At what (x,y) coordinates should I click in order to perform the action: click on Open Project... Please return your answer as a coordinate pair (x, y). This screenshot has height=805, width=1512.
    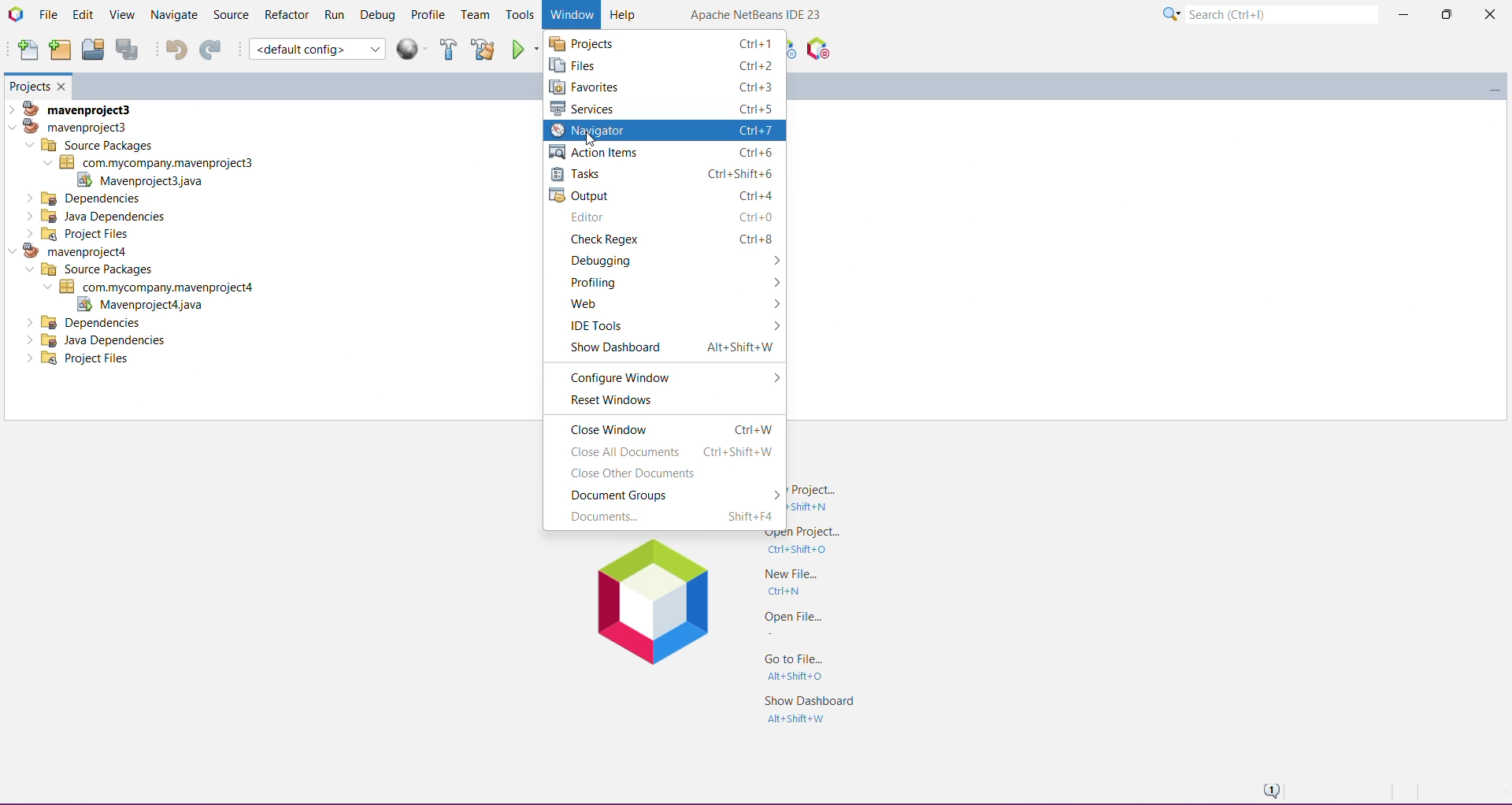
    Looking at the image, I should click on (800, 544).